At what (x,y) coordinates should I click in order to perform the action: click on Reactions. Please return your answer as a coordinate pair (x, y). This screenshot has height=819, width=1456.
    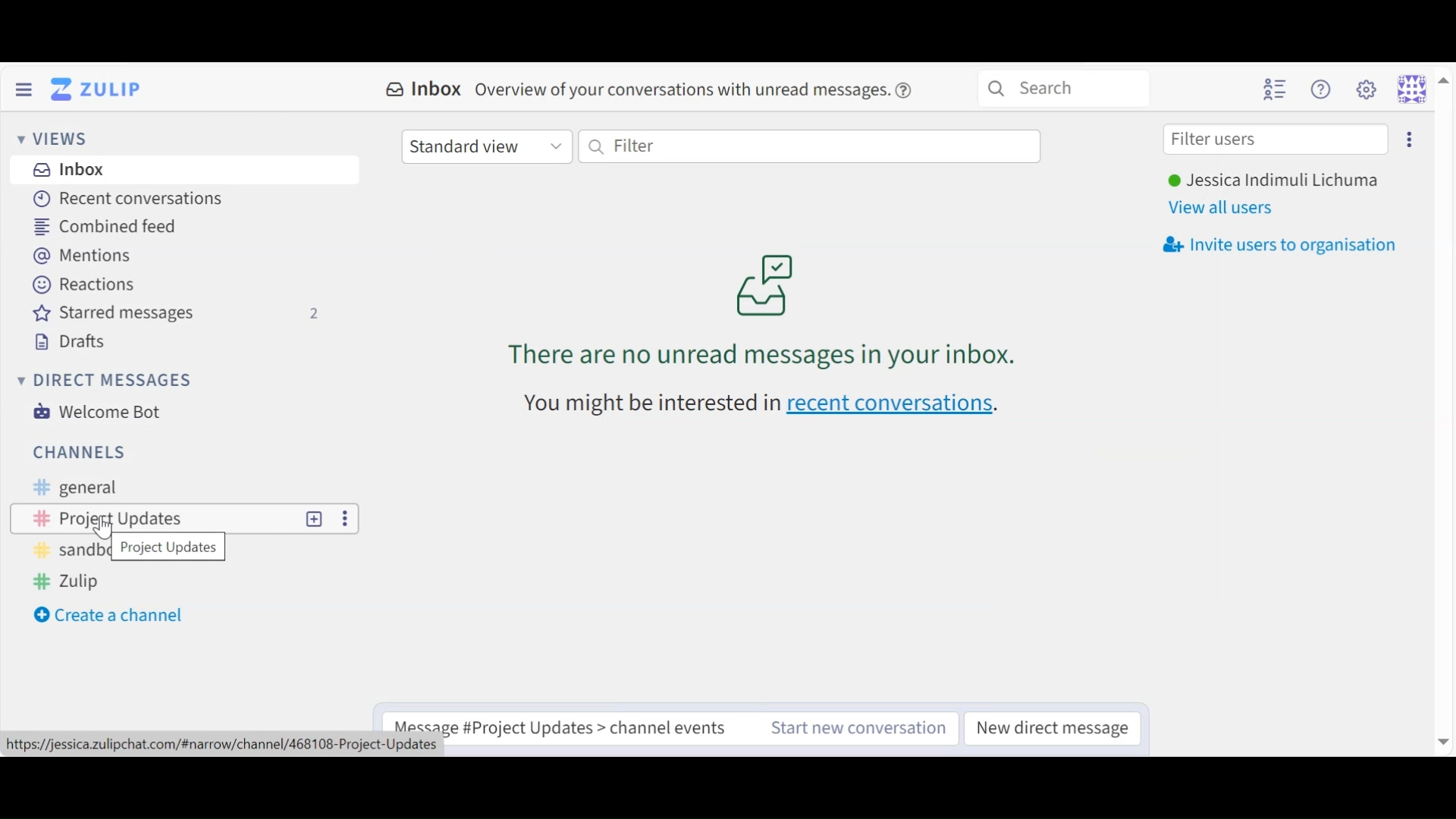
    Looking at the image, I should click on (83, 283).